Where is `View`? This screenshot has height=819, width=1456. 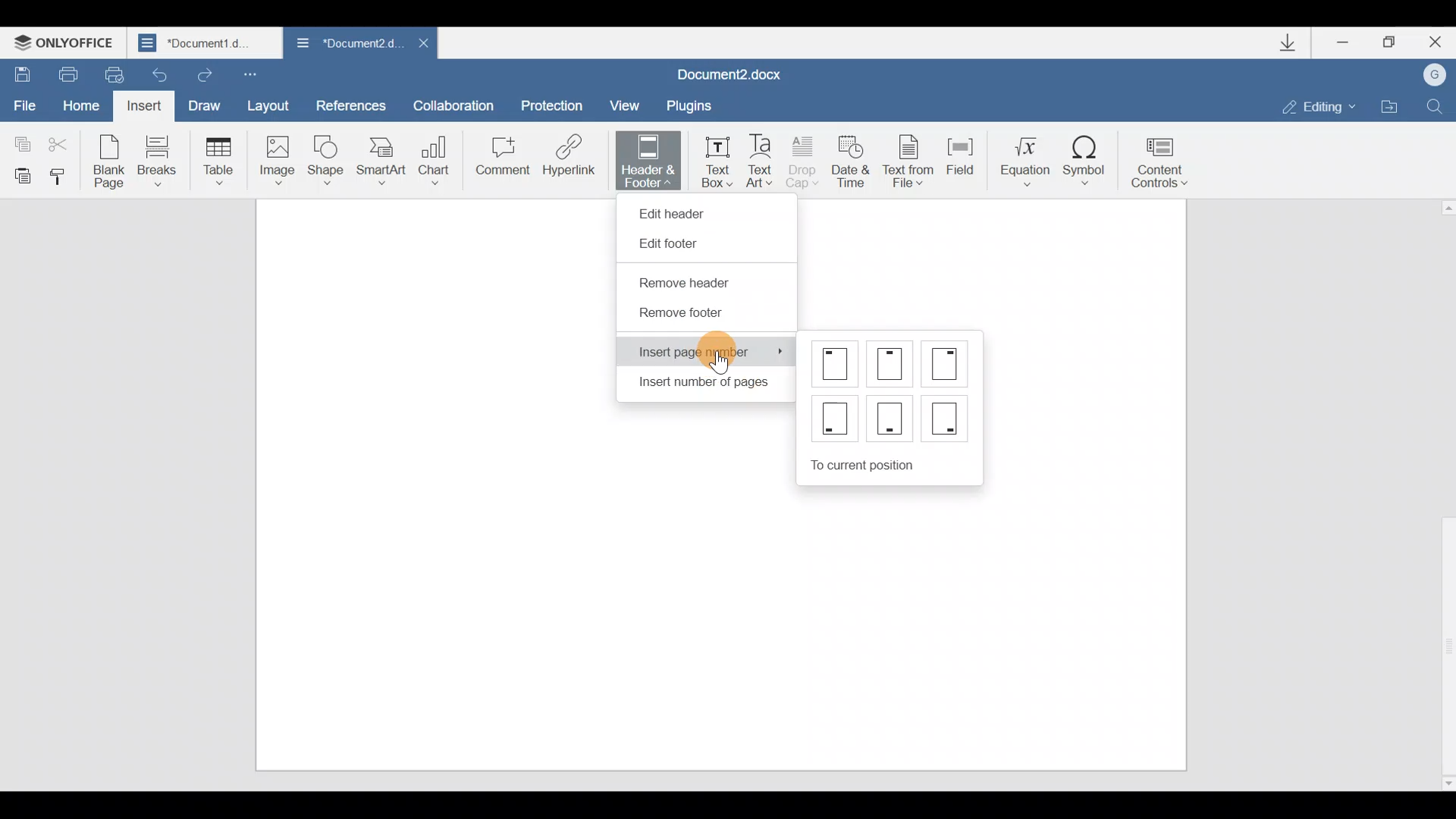 View is located at coordinates (627, 102).